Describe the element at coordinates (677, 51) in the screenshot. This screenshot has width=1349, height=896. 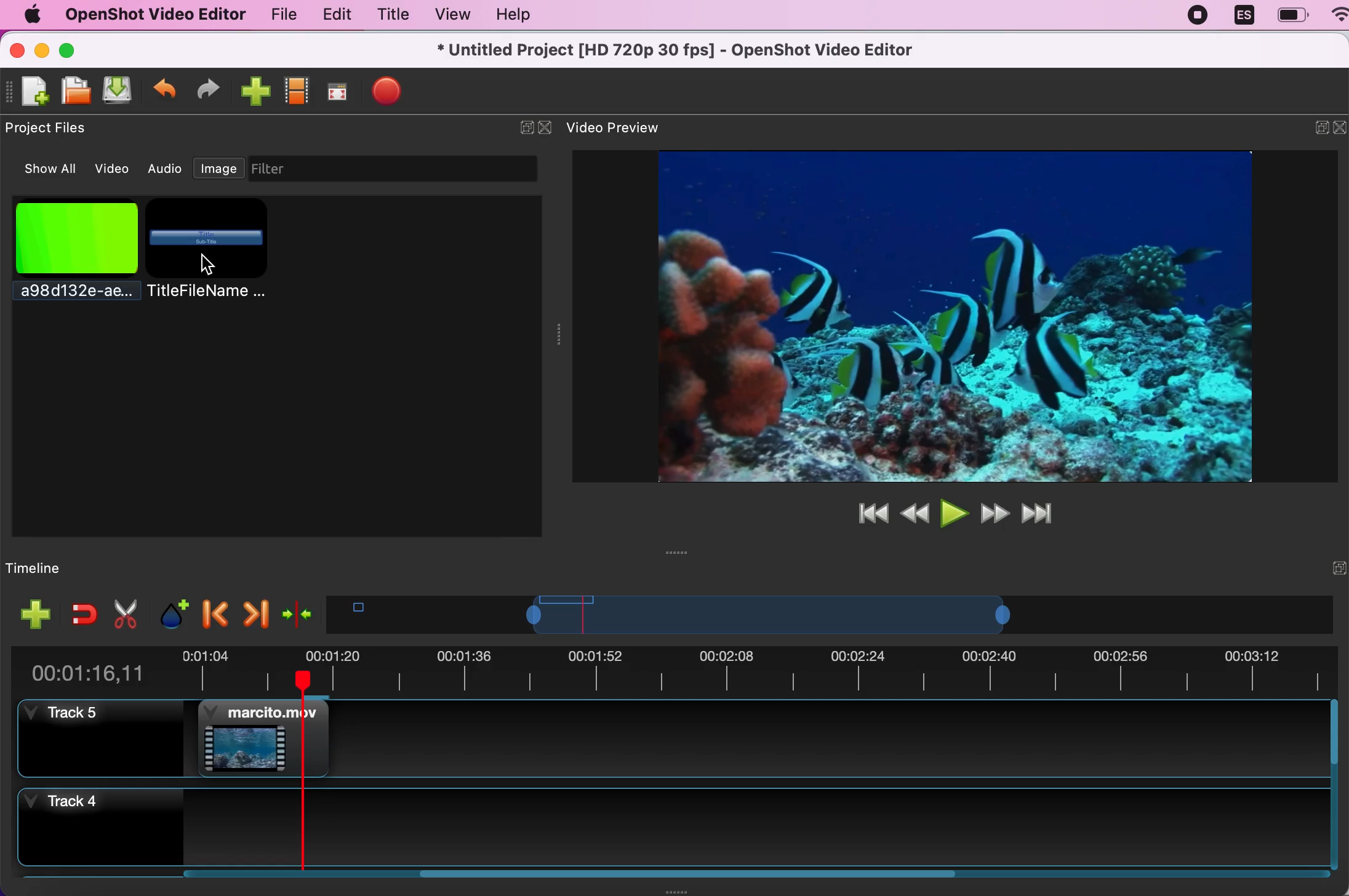
I see `title - Untitled Project [HD 720p 30 fps)-OpenShot Video Editor` at that location.